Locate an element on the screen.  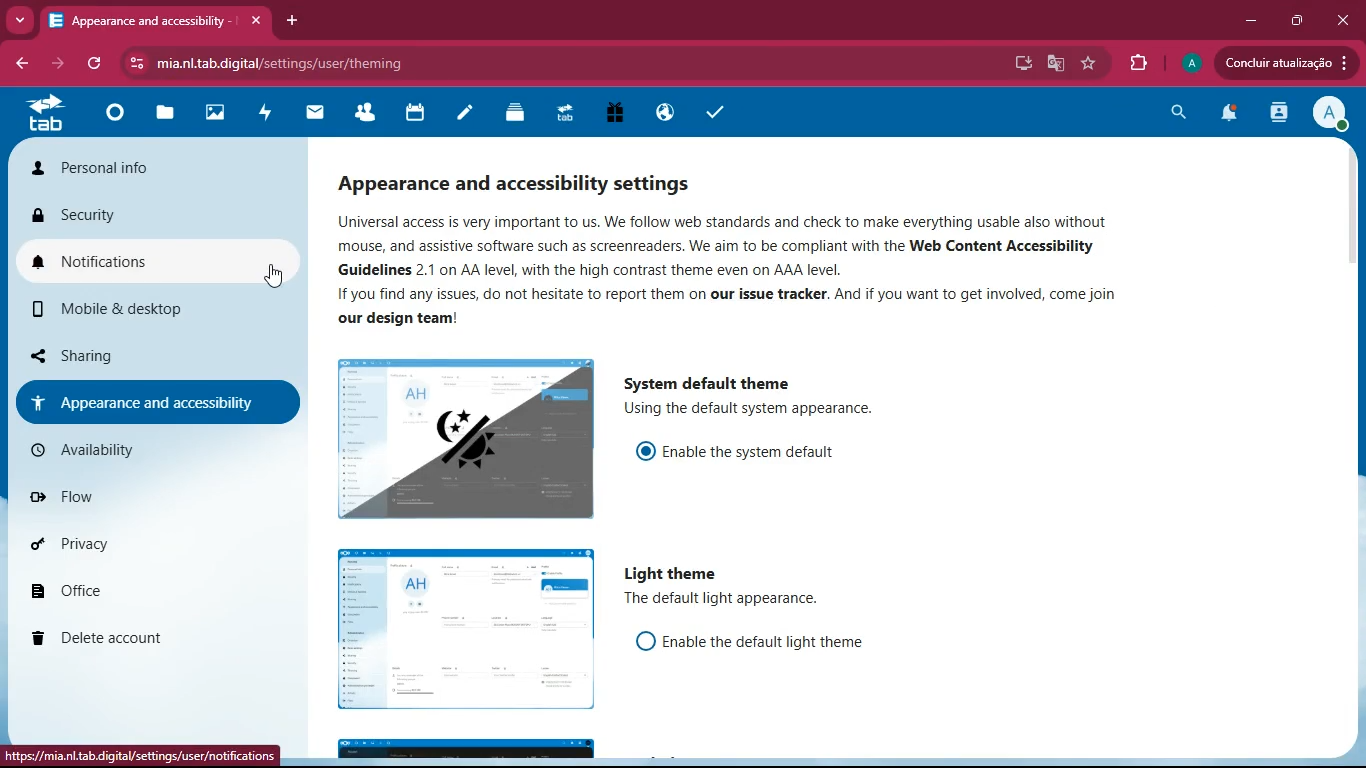
minimize is located at coordinates (1252, 20).